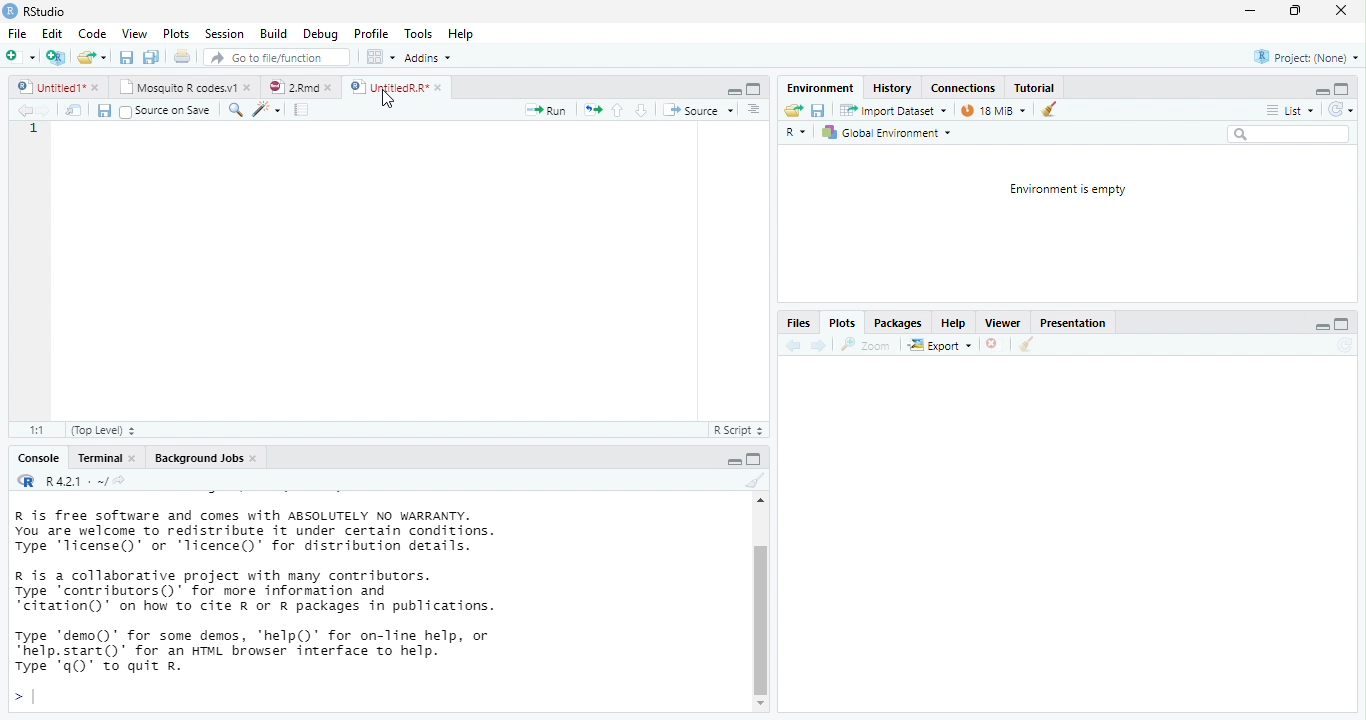  Describe the element at coordinates (233, 110) in the screenshot. I see `search` at that location.